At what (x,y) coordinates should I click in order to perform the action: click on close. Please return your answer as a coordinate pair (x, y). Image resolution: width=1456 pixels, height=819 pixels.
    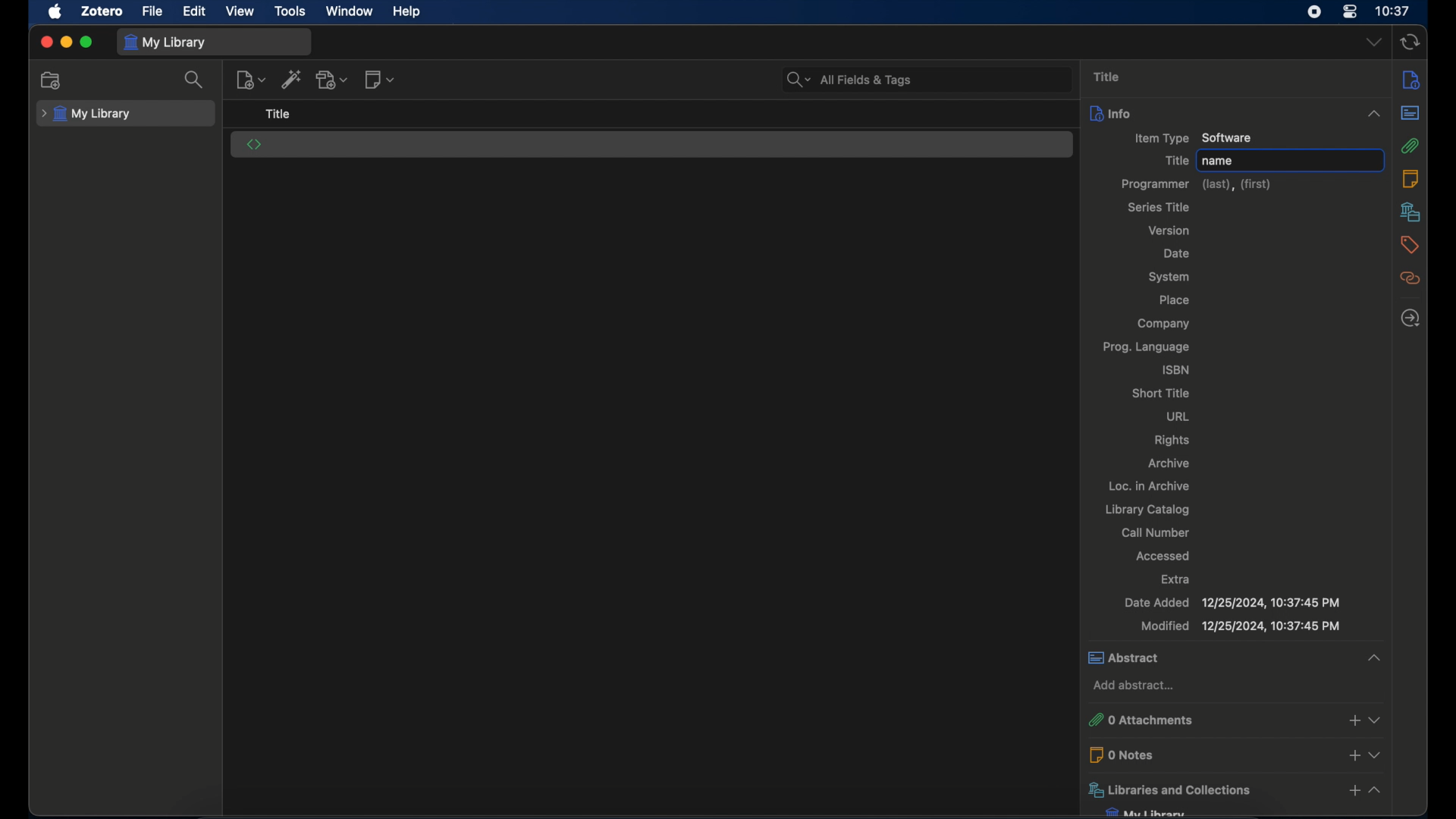
    Looking at the image, I should click on (45, 42).